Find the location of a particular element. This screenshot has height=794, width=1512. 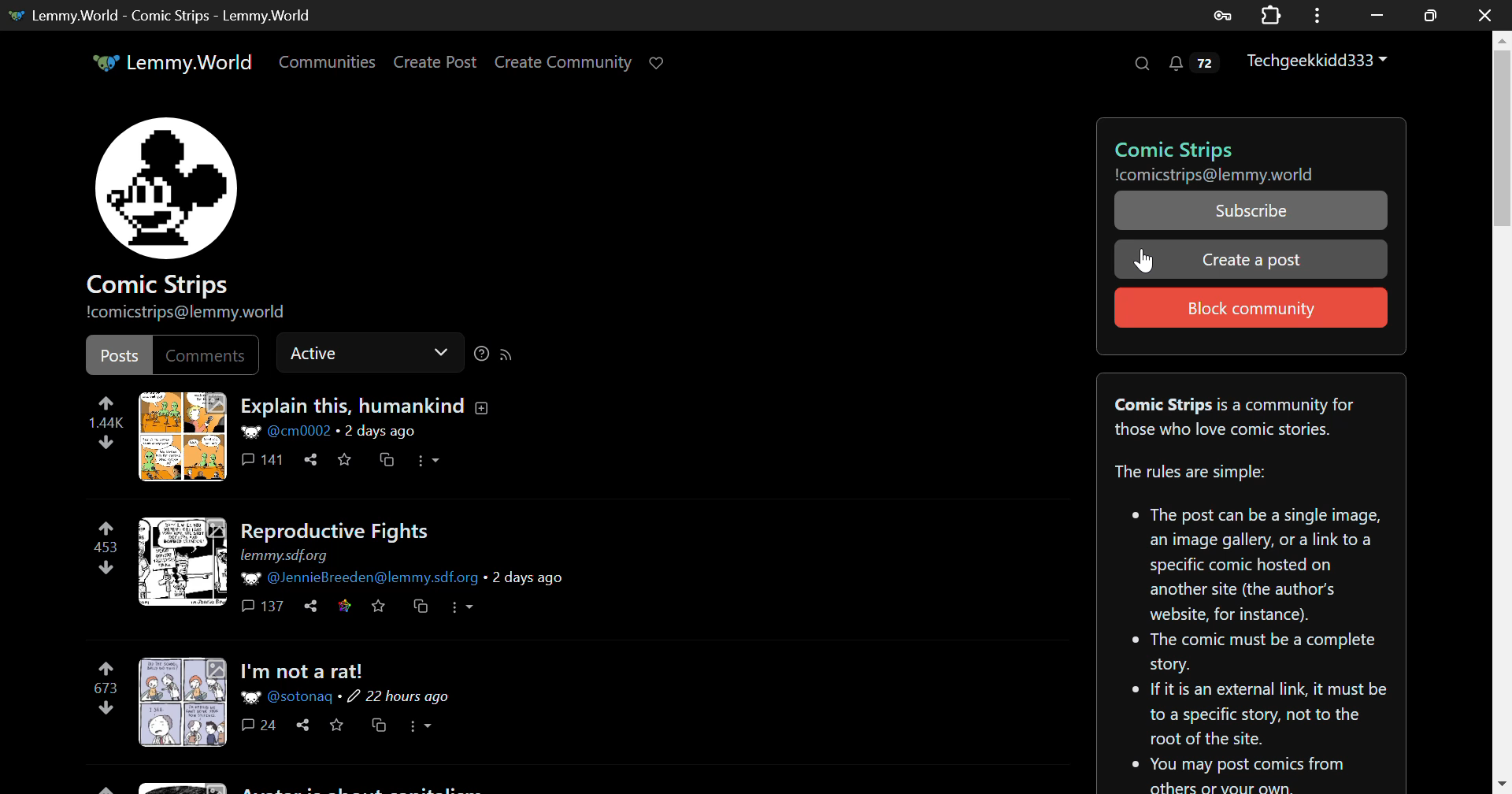

Comments is located at coordinates (261, 458).